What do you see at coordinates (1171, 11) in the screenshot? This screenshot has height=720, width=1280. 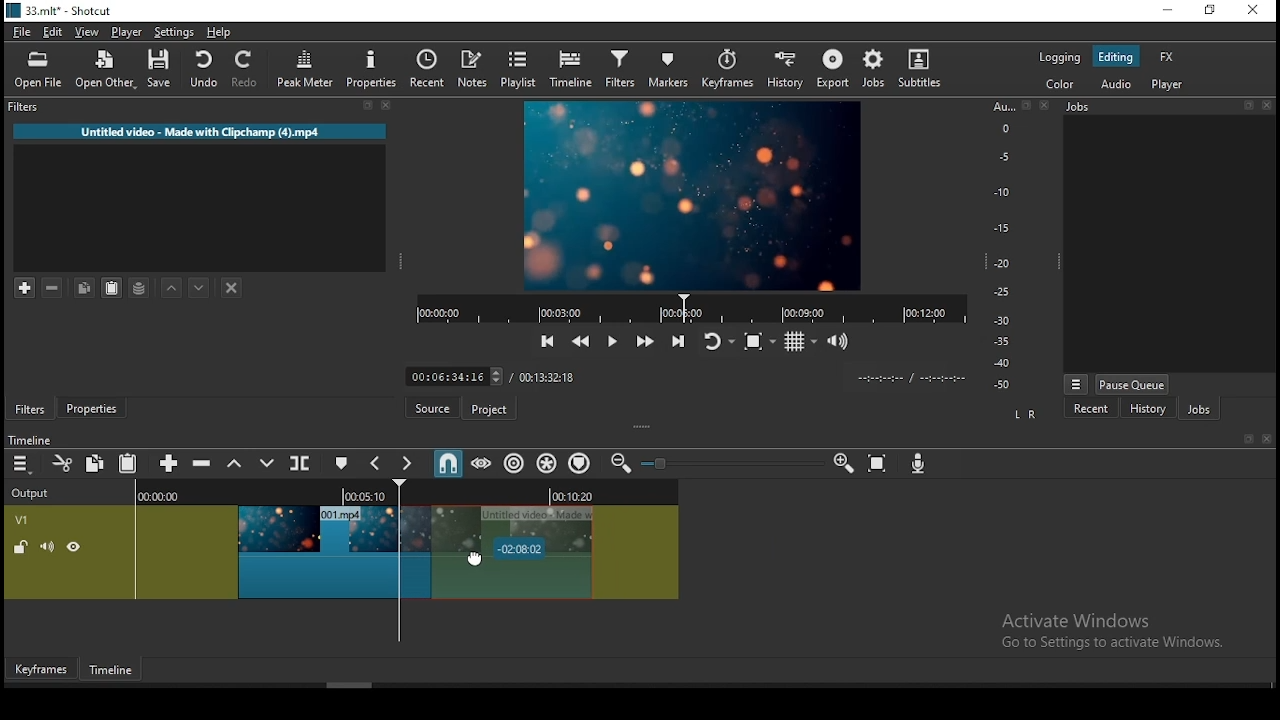 I see `minimize` at bounding box center [1171, 11].